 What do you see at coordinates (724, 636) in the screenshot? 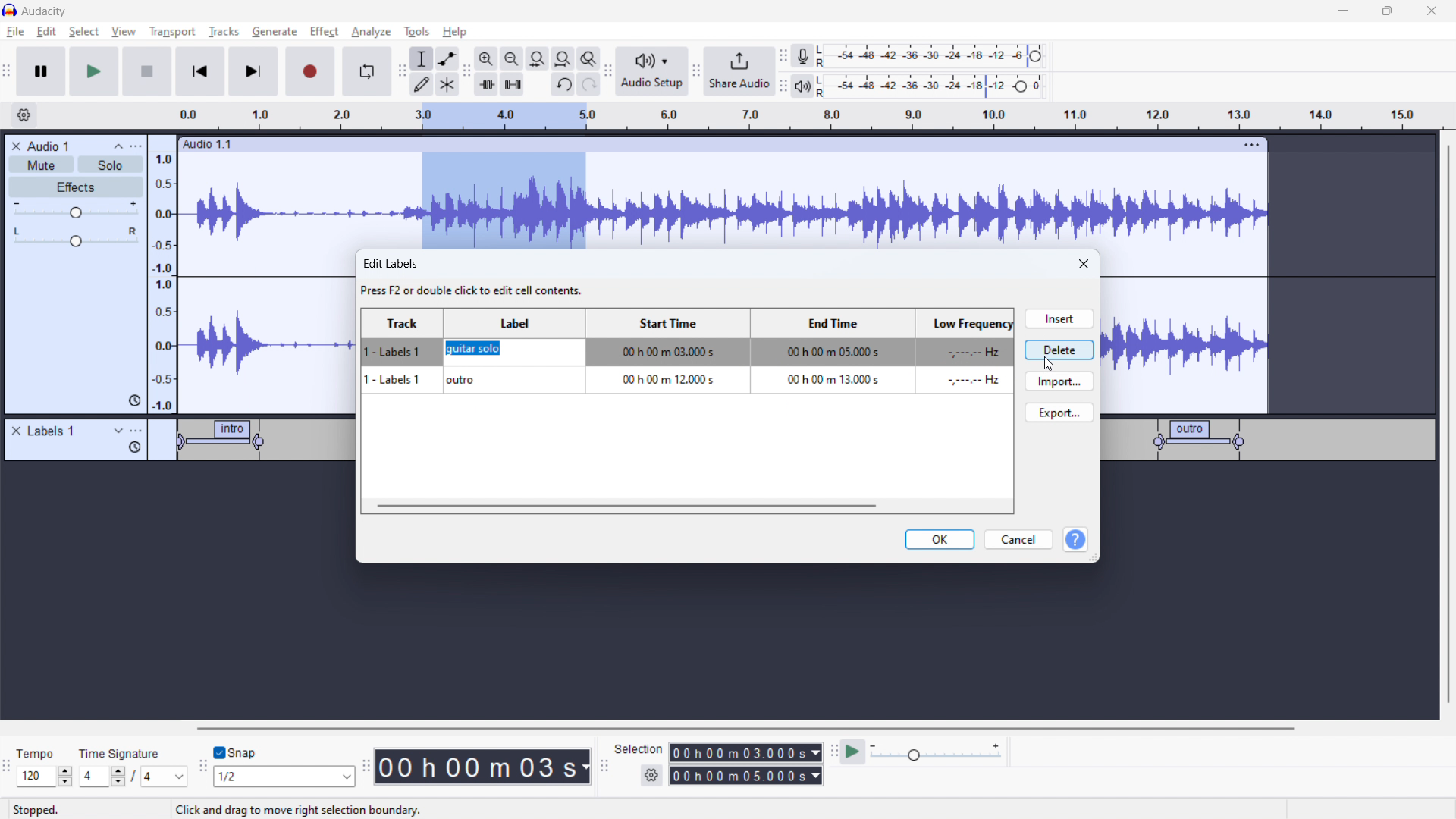
I see `timeline` at bounding box center [724, 636].